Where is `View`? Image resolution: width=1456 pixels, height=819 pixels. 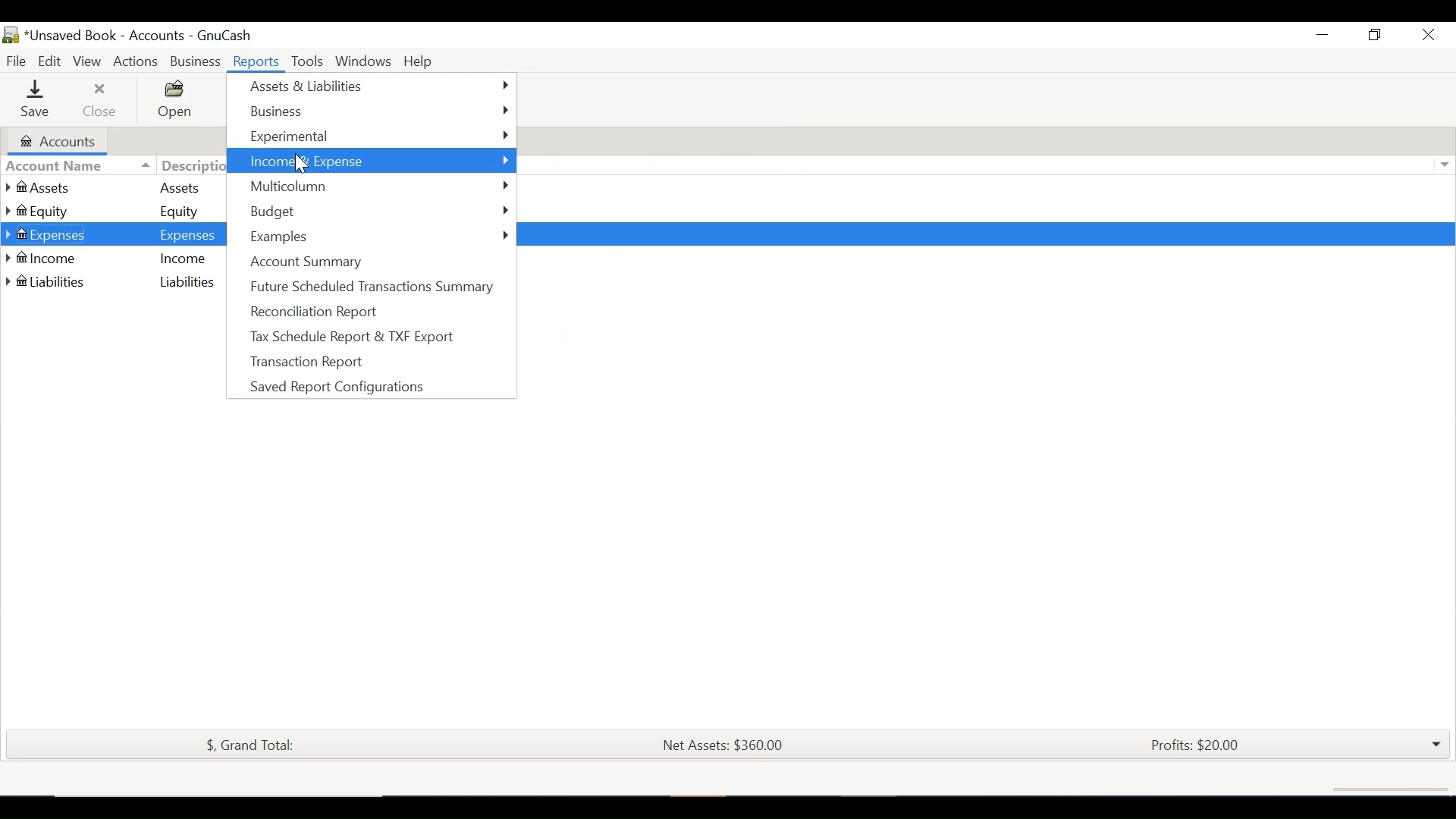 View is located at coordinates (88, 58).